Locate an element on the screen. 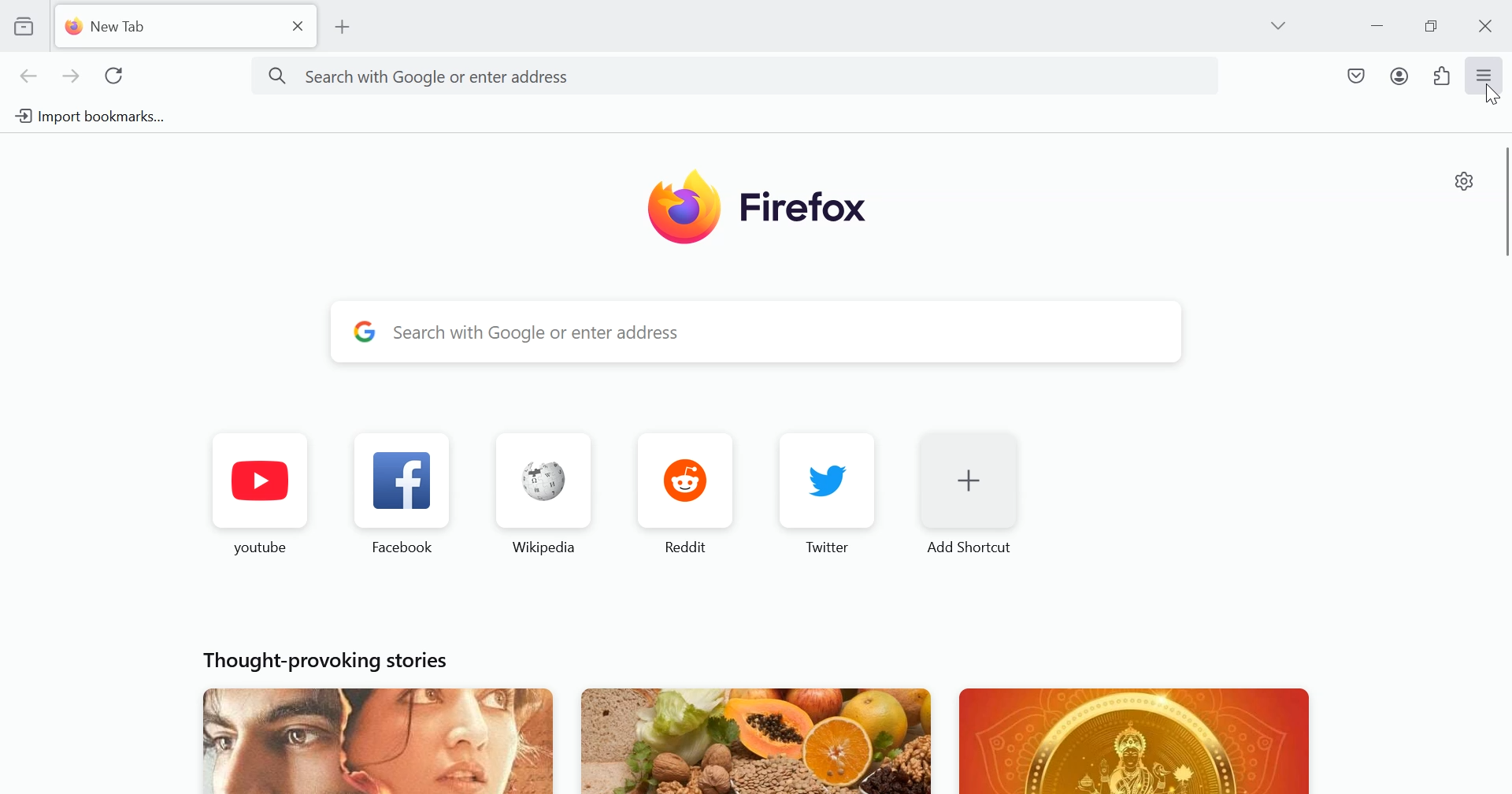 This screenshot has width=1512, height=794. Extensions is located at coordinates (1441, 76).